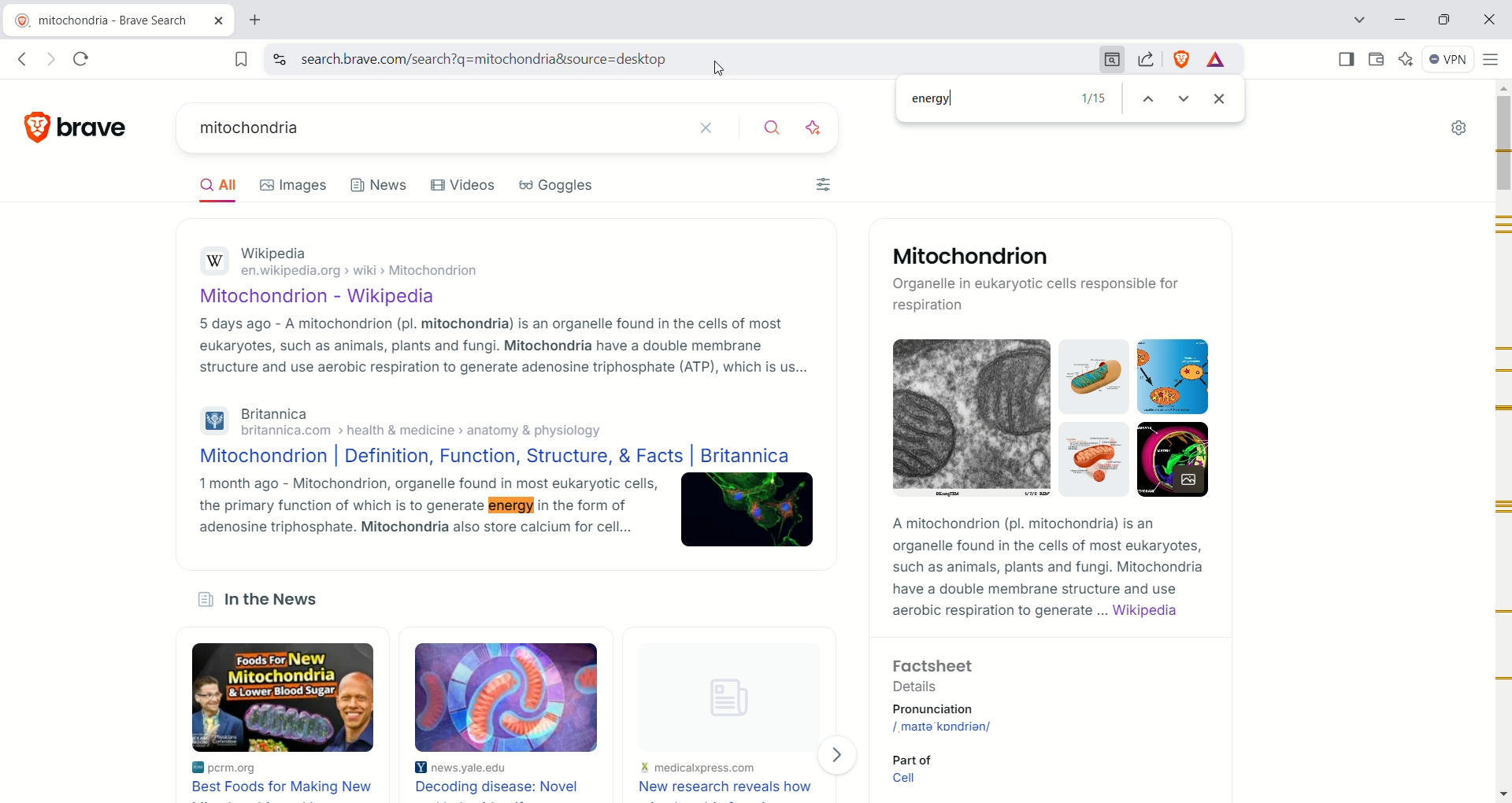  Describe the element at coordinates (970, 727) in the screenshot. I see `/, maIta' kondrian/` at that location.